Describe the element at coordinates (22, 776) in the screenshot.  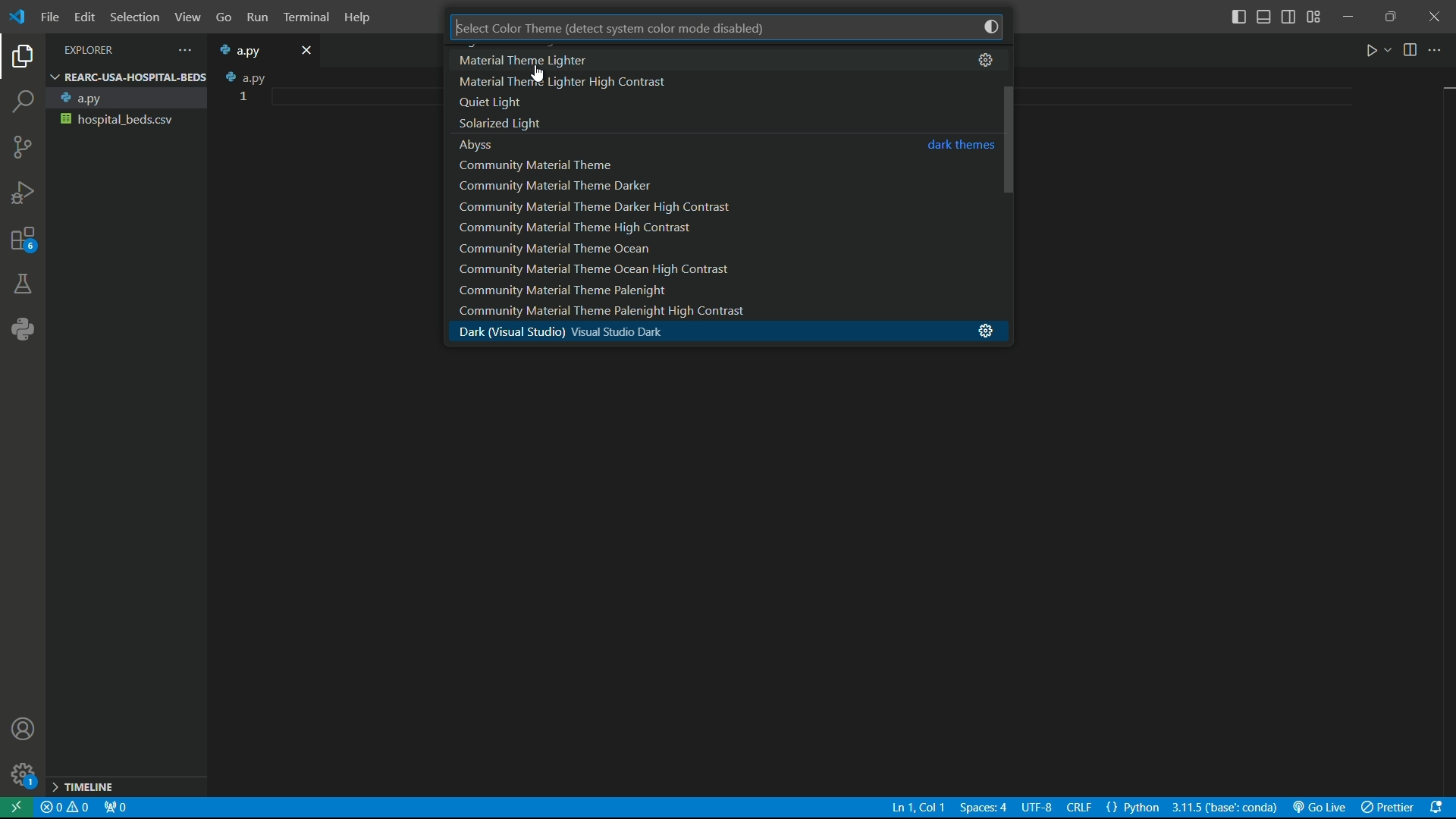
I see `settings` at that location.